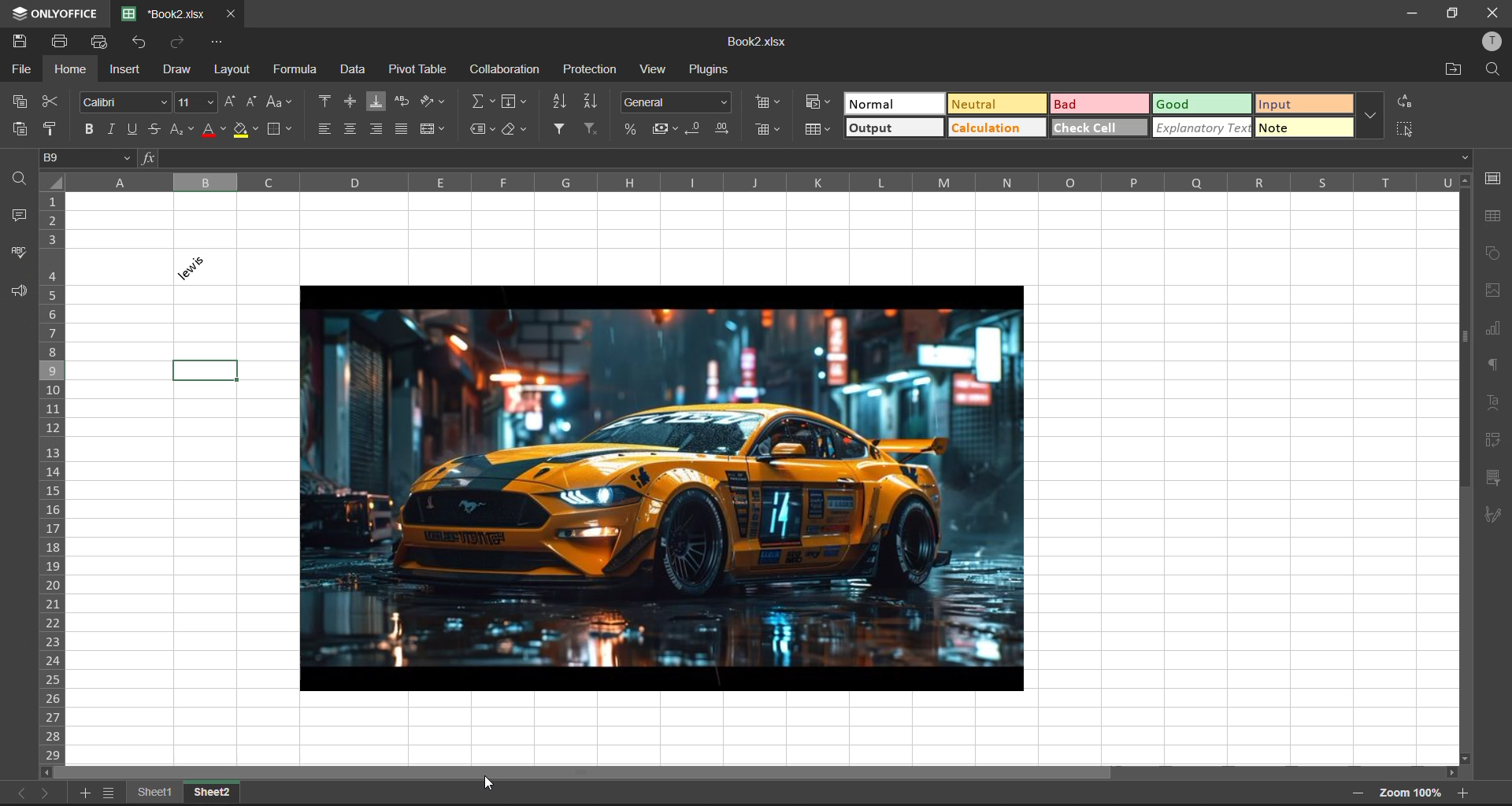 The image size is (1512, 806). Describe the element at coordinates (215, 130) in the screenshot. I see `font color` at that location.